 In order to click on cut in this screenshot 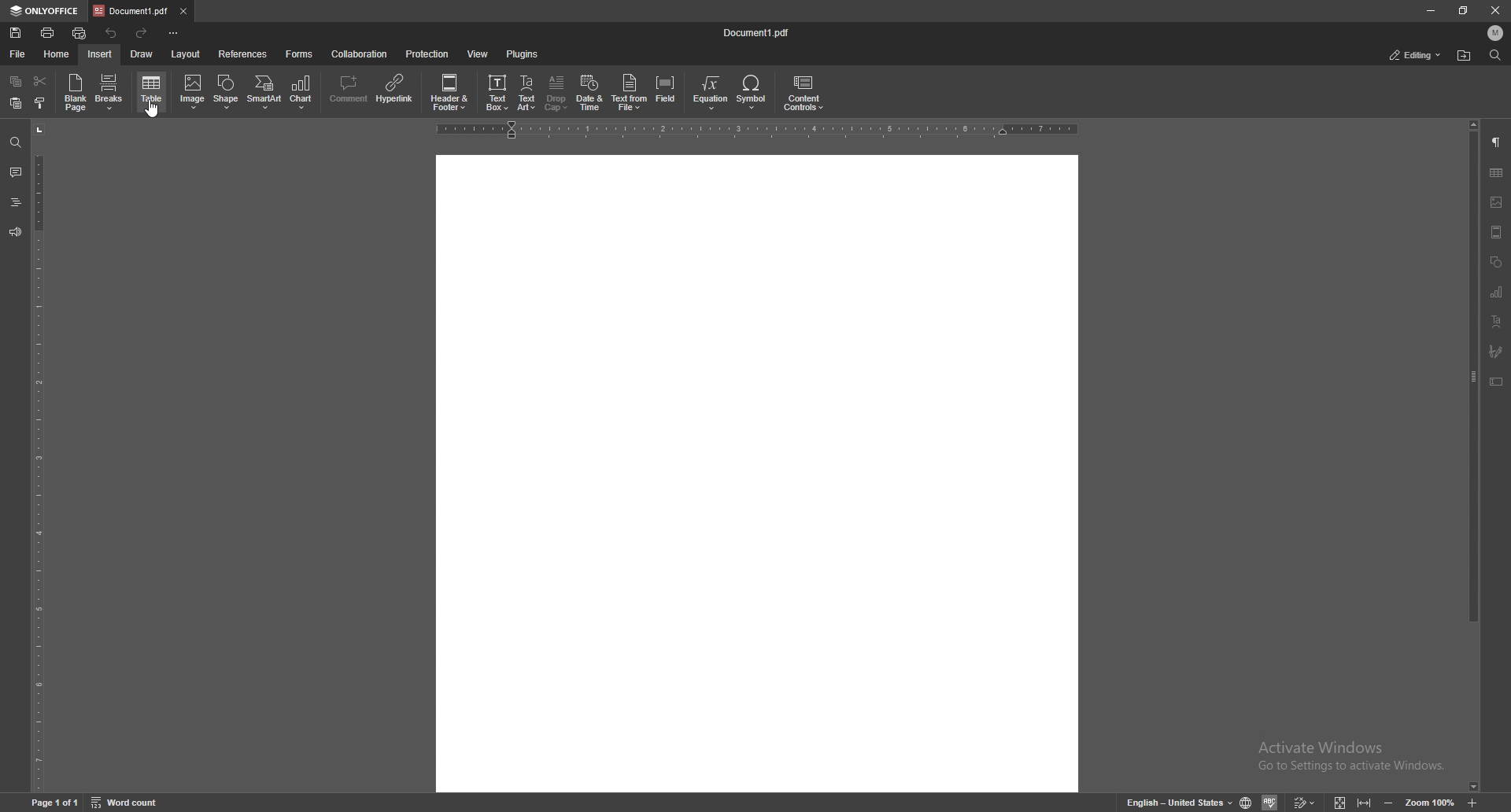, I will do `click(39, 80)`.